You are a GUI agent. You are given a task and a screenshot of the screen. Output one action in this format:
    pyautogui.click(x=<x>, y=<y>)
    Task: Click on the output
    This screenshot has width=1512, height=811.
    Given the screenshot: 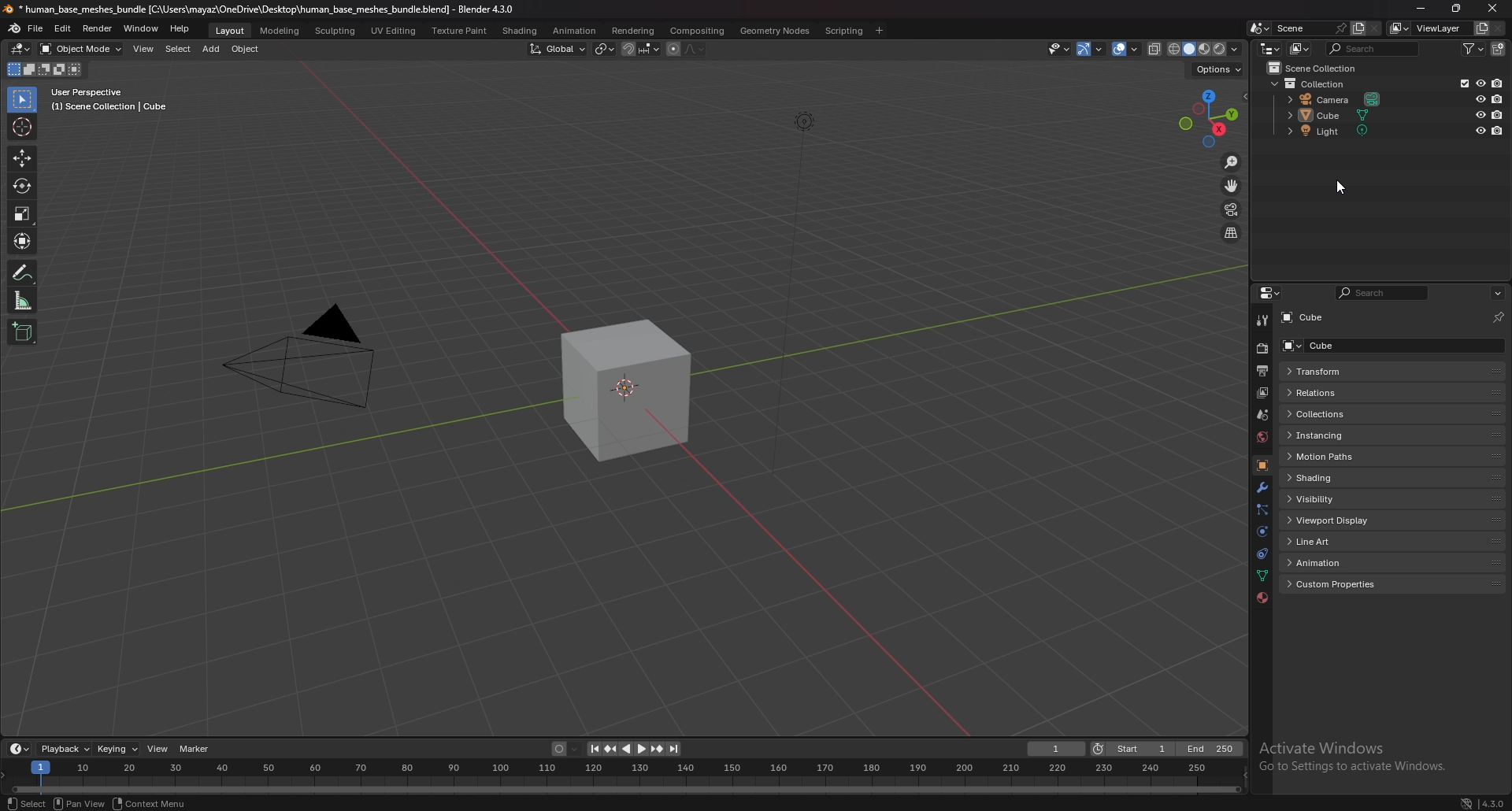 What is the action you would take?
    pyautogui.click(x=1262, y=372)
    